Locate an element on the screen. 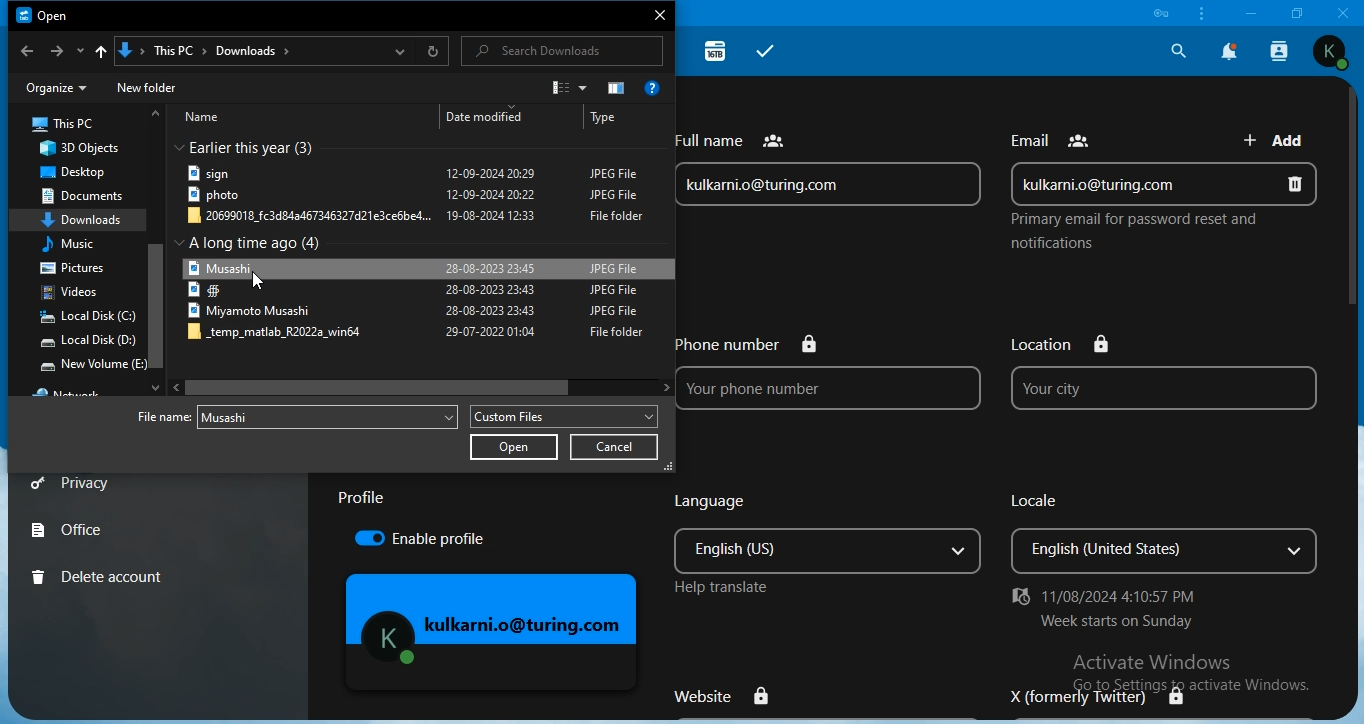 This screenshot has height=724, width=1364. desktop is located at coordinates (74, 174).